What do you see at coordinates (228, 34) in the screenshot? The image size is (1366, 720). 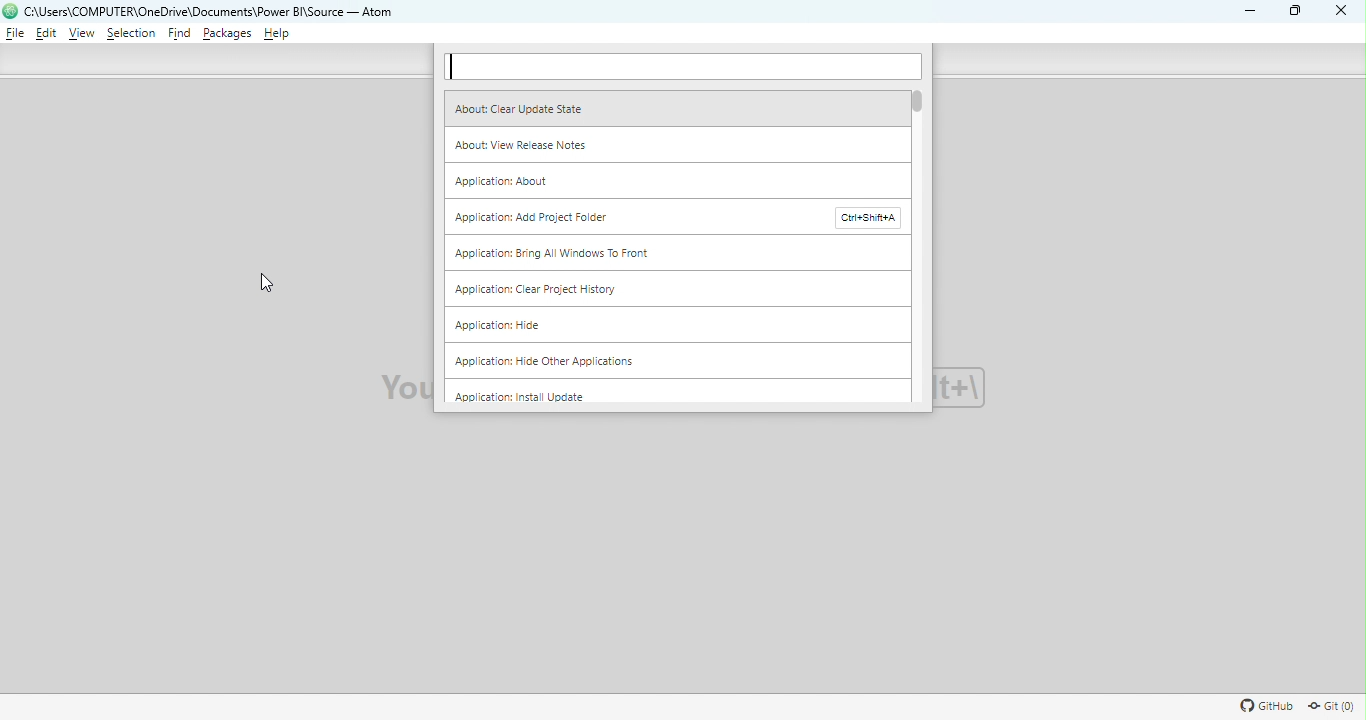 I see `Packages` at bounding box center [228, 34].